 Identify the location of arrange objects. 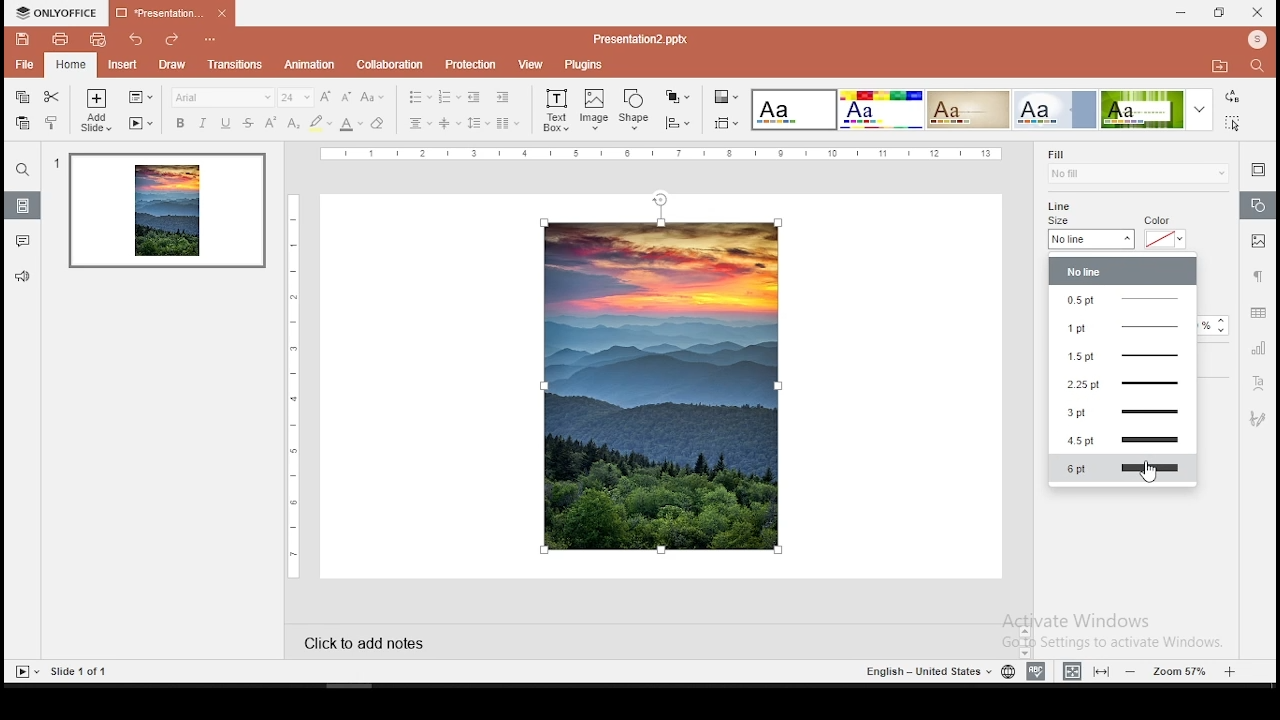
(679, 97).